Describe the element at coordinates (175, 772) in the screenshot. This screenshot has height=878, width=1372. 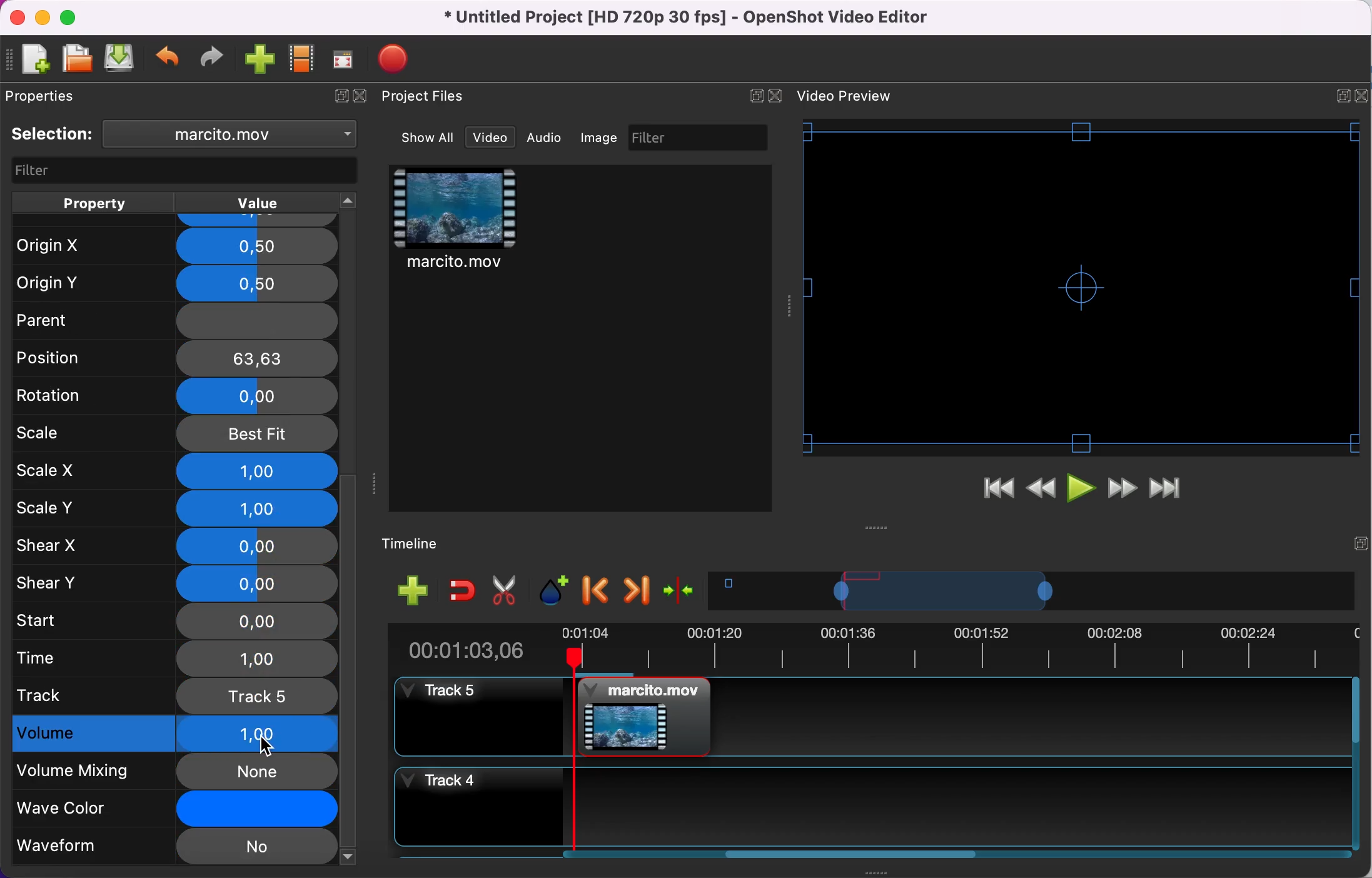
I see `volume mixing none` at that location.